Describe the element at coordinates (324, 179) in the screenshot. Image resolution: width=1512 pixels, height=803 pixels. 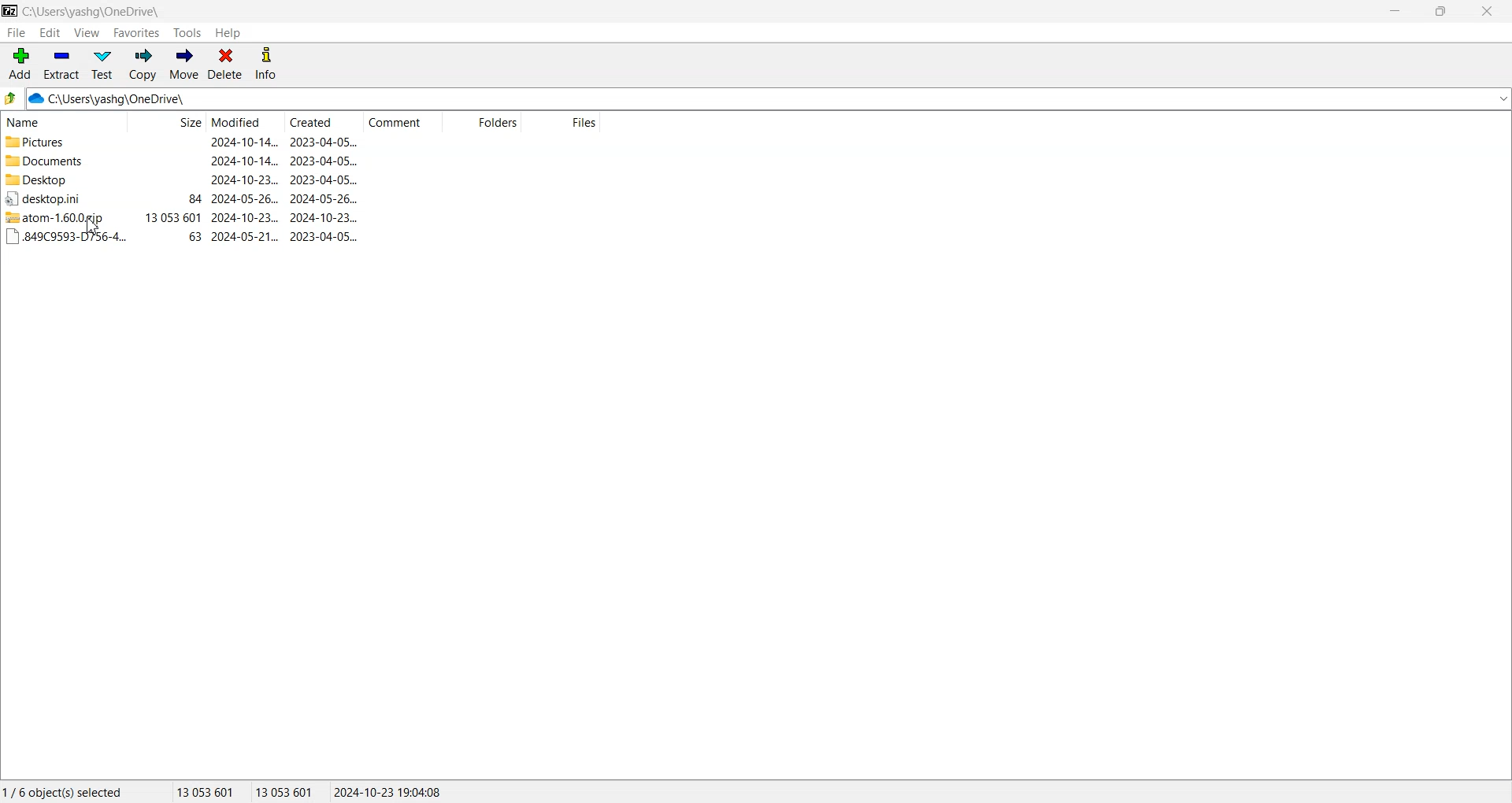
I see `2023-04-05` at that location.